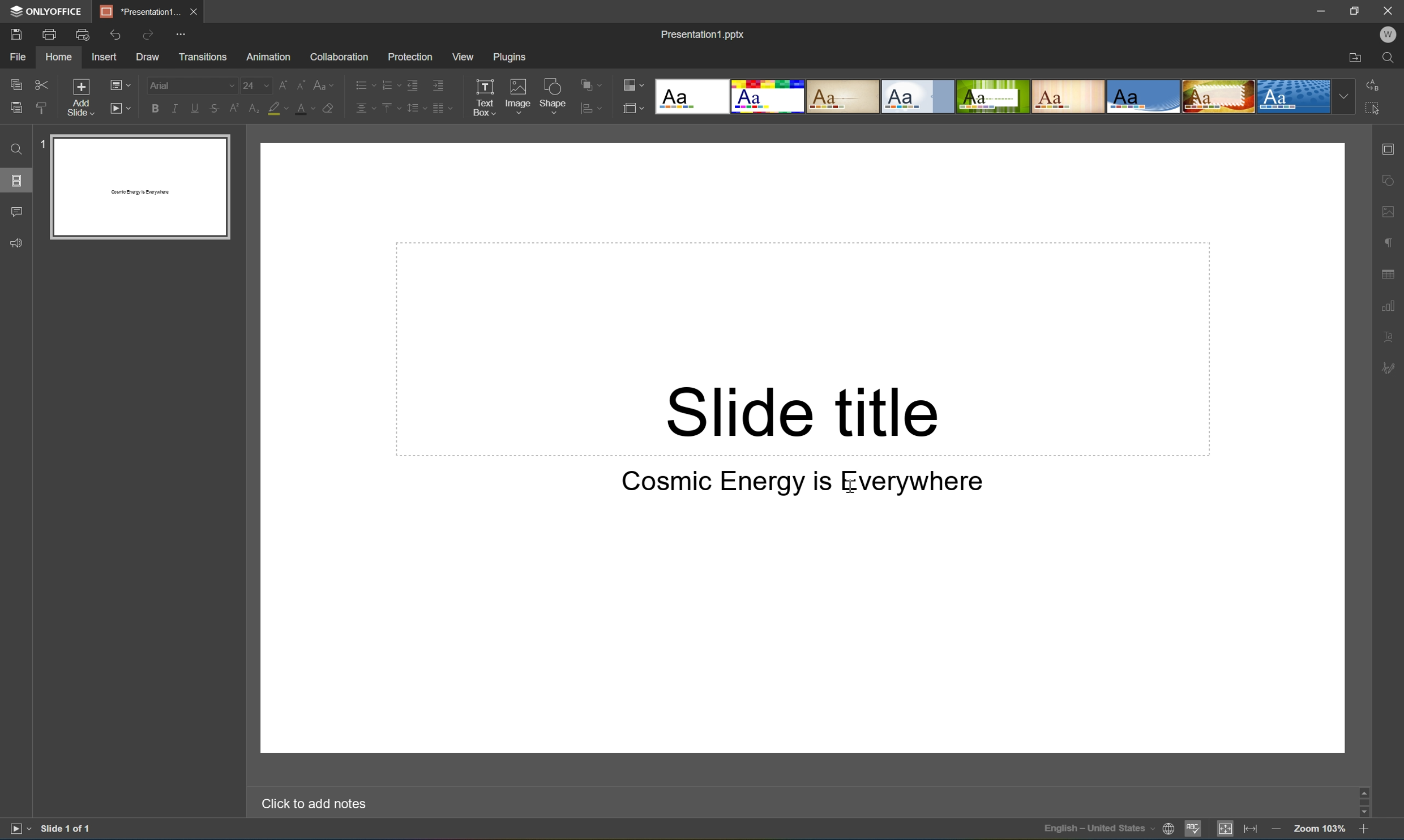 Image resolution: width=1404 pixels, height=840 pixels. Describe the element at coordinates (254, 83) in the screenshot. I see `24` at that location.